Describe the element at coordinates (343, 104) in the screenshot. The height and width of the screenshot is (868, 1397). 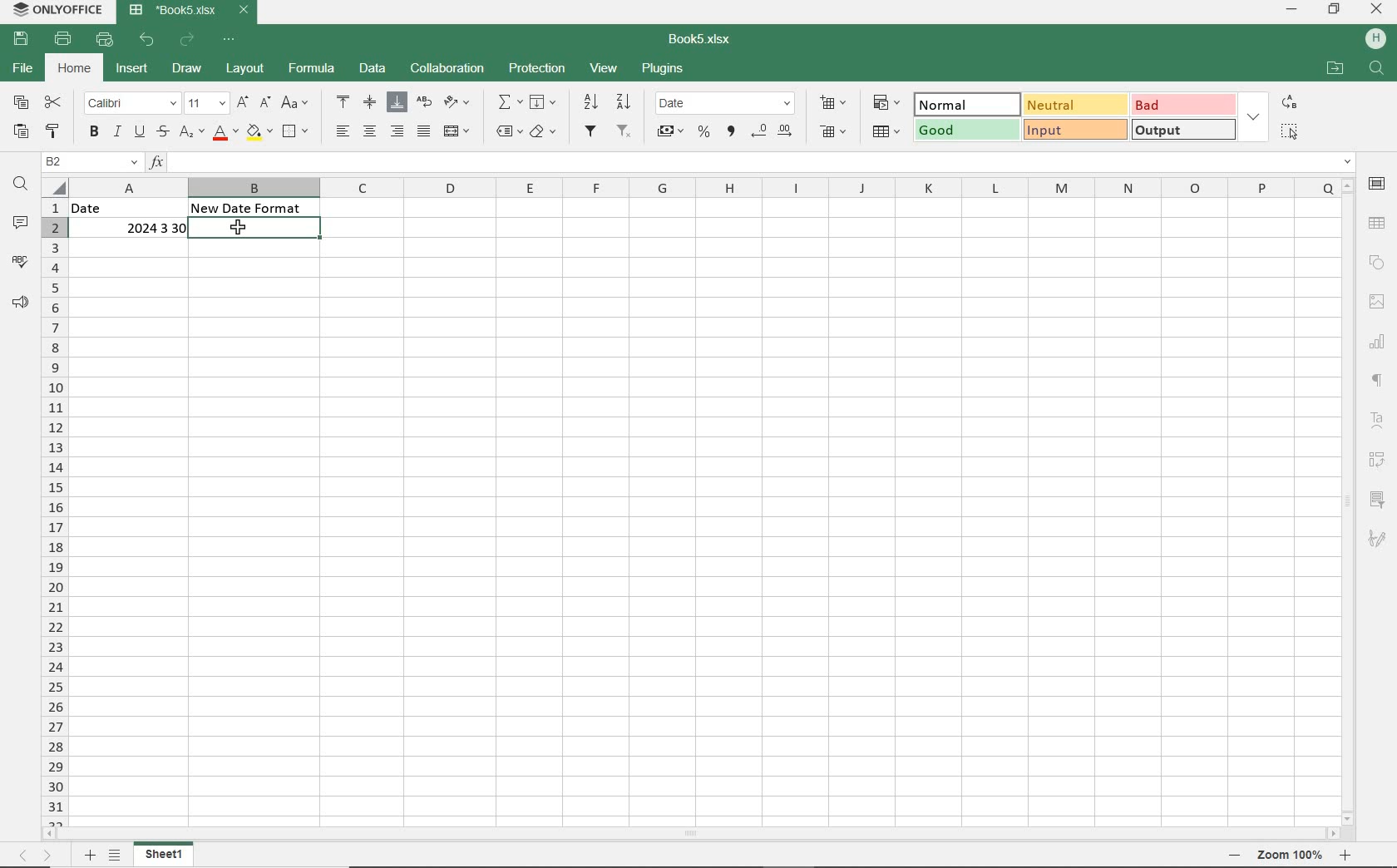
I see `ALIGN TOP` at that location.